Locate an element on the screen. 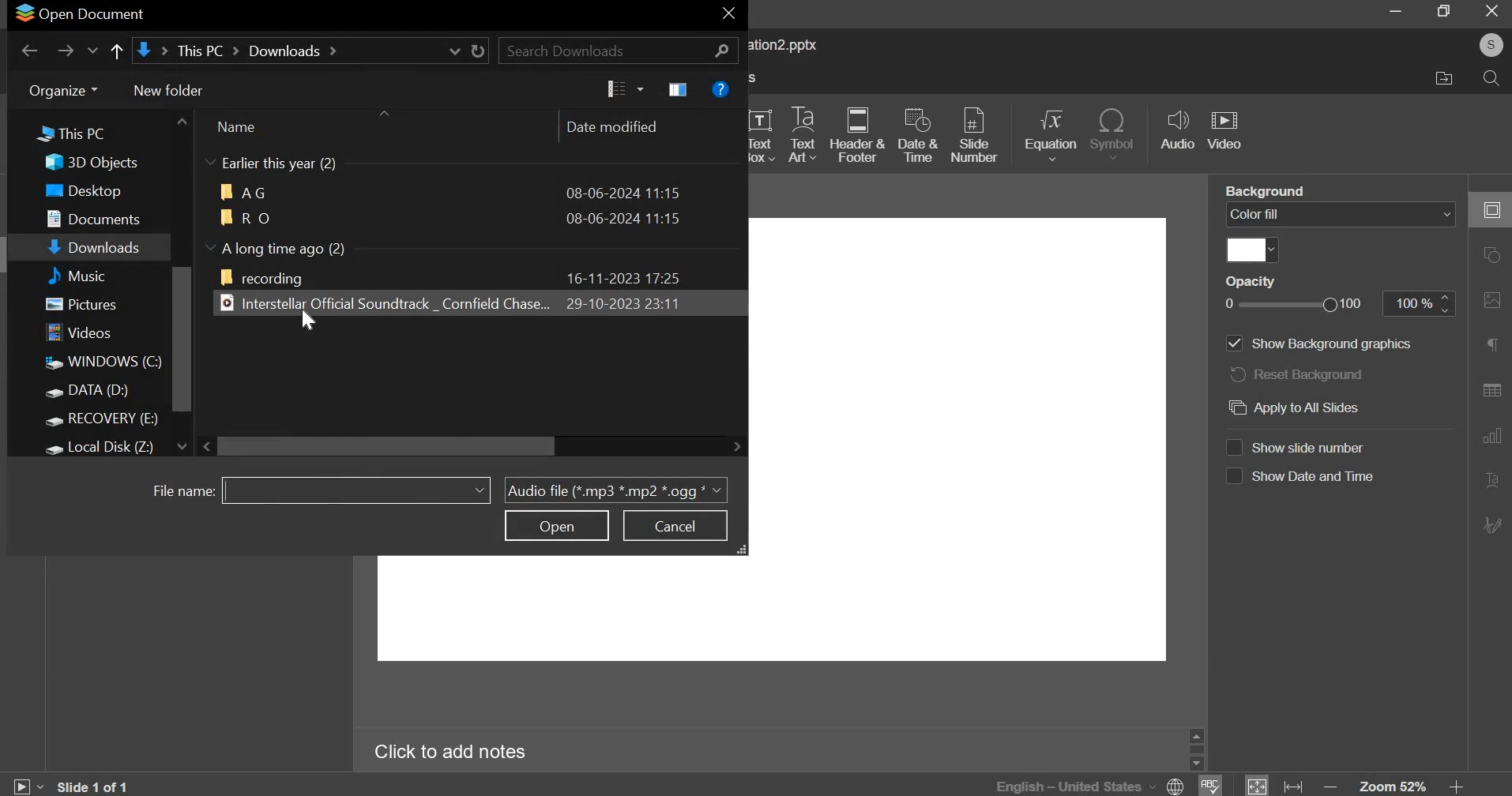 This screenshot has width=1512, height=796. close is located at coordinates (729, 13).